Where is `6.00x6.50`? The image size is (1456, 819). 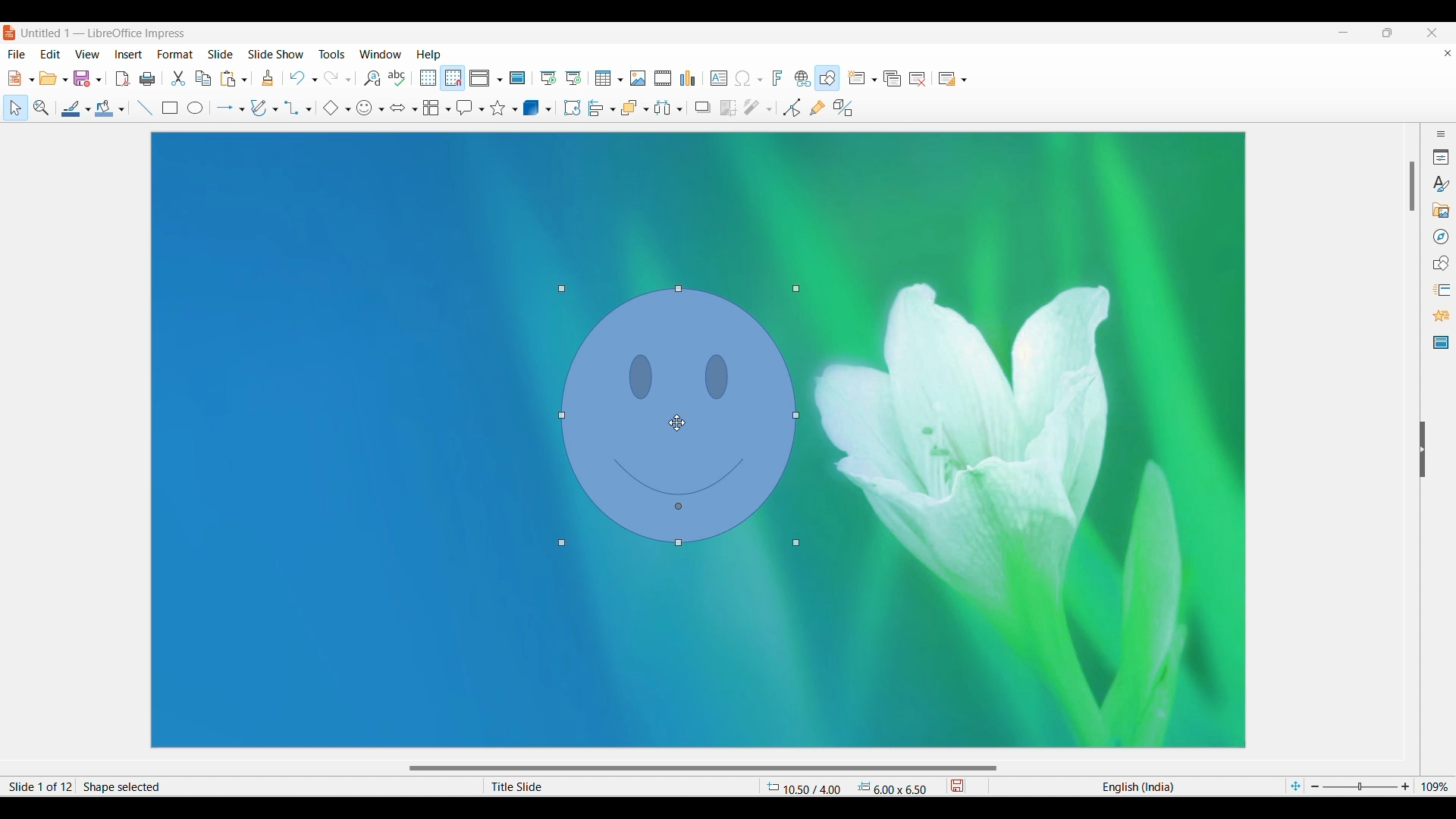 6.00x6.50 is located at coordinates (893, 786).